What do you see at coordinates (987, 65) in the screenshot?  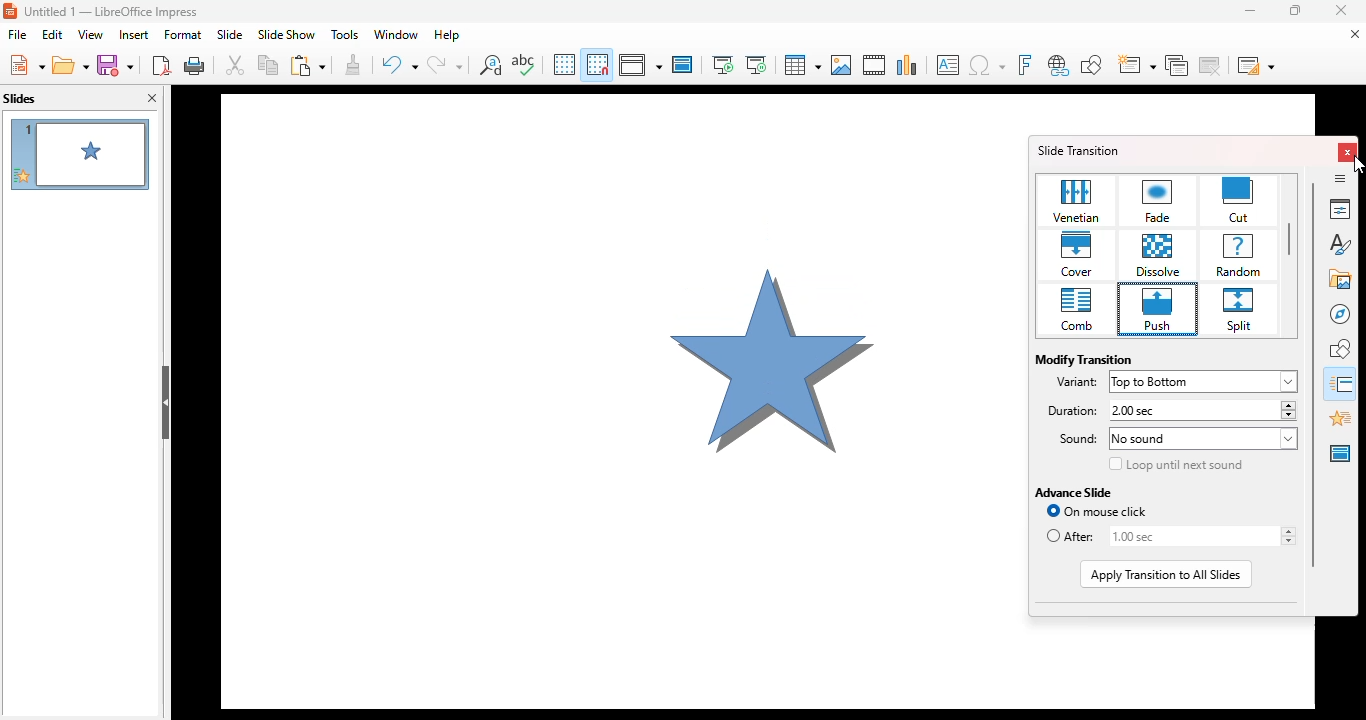 I see `insert special characters` at bounding box center [987, 65].